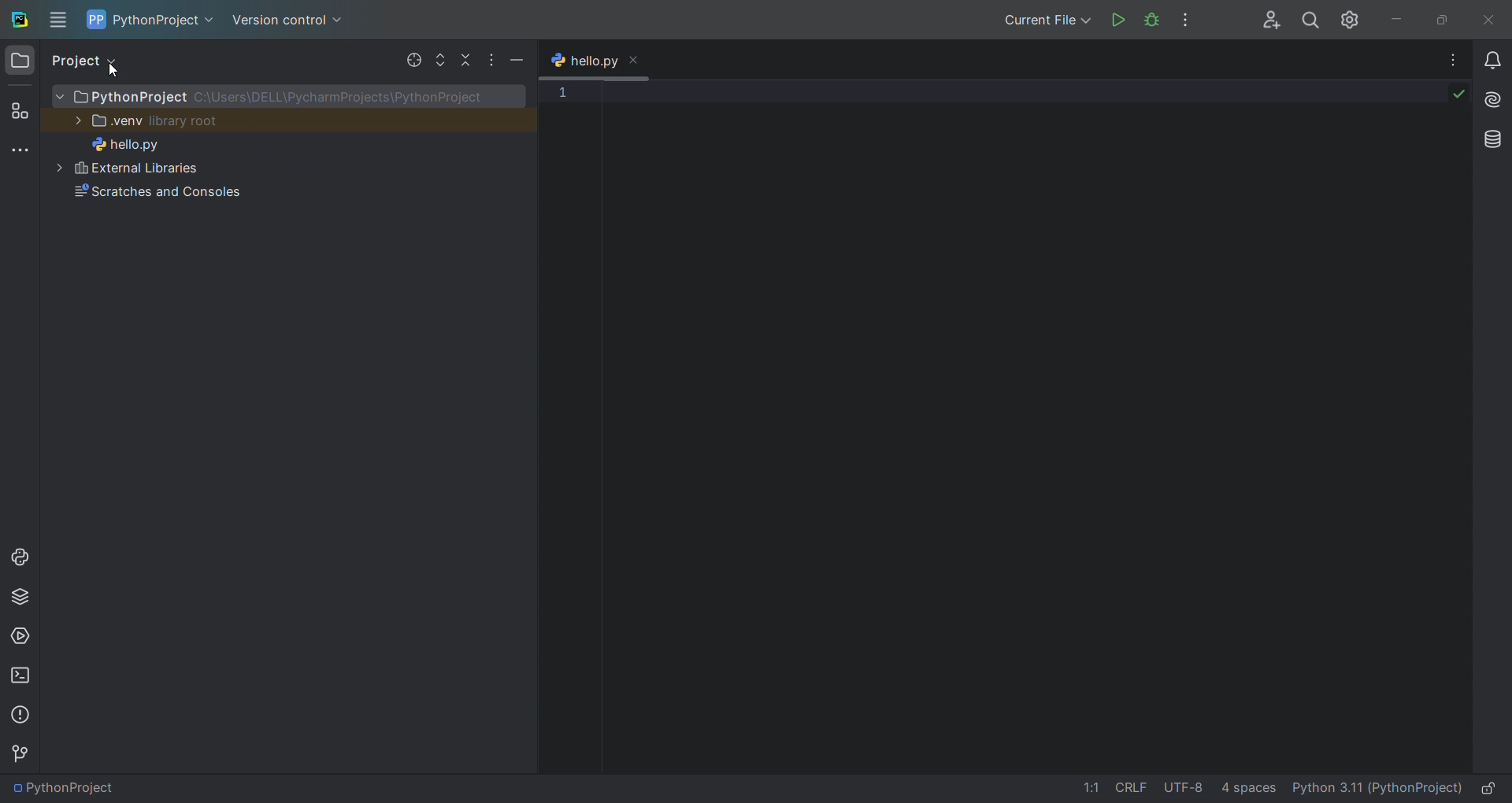  What do you see at coordinates (1026, 421) in the screenshot?
I see `code ediotr` at bounding box center [1026, 421].